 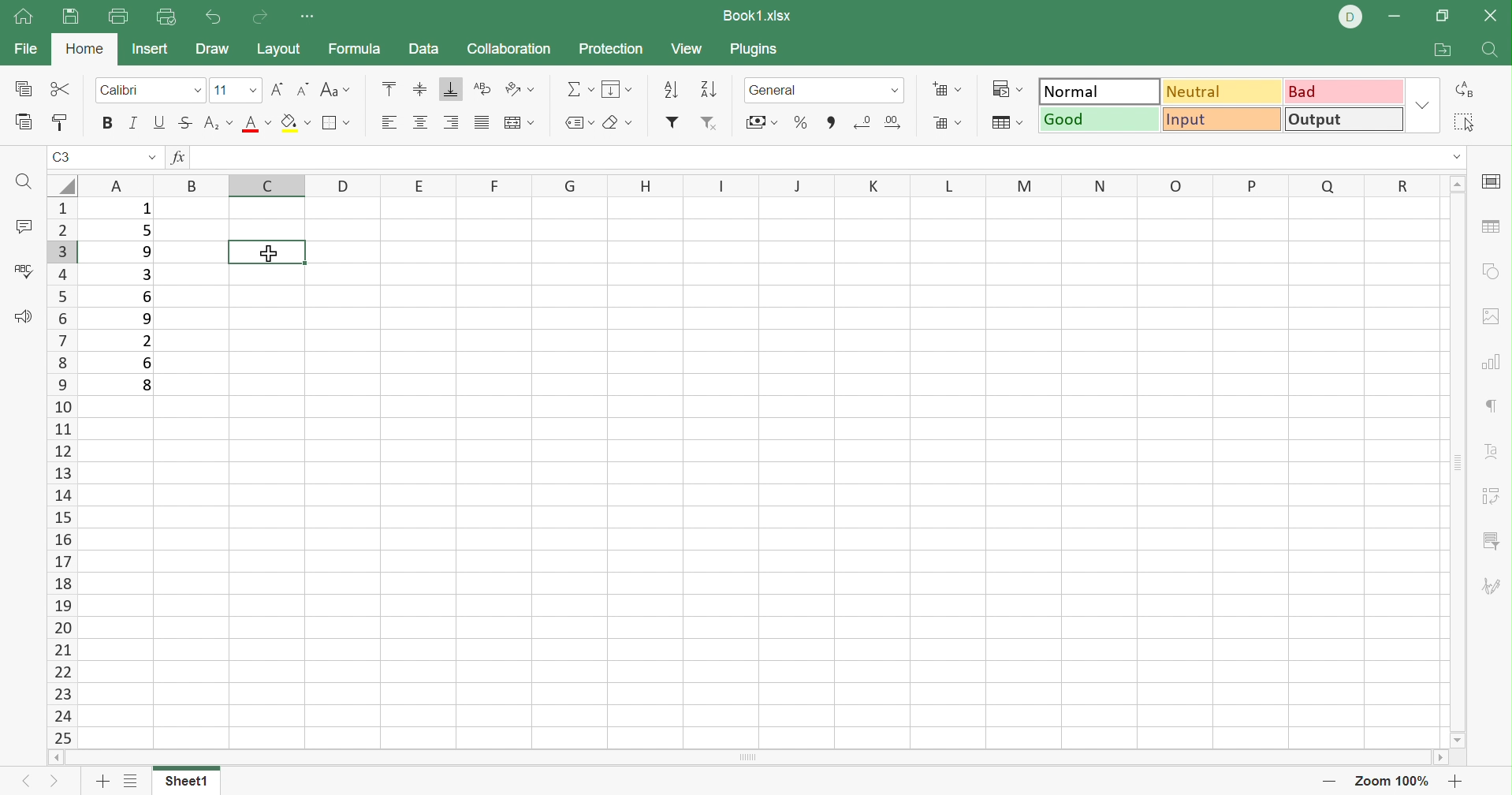 What do you see at coordinates (143, 211) in the screenshot?
I see `1` at bounding box center [143, 211].